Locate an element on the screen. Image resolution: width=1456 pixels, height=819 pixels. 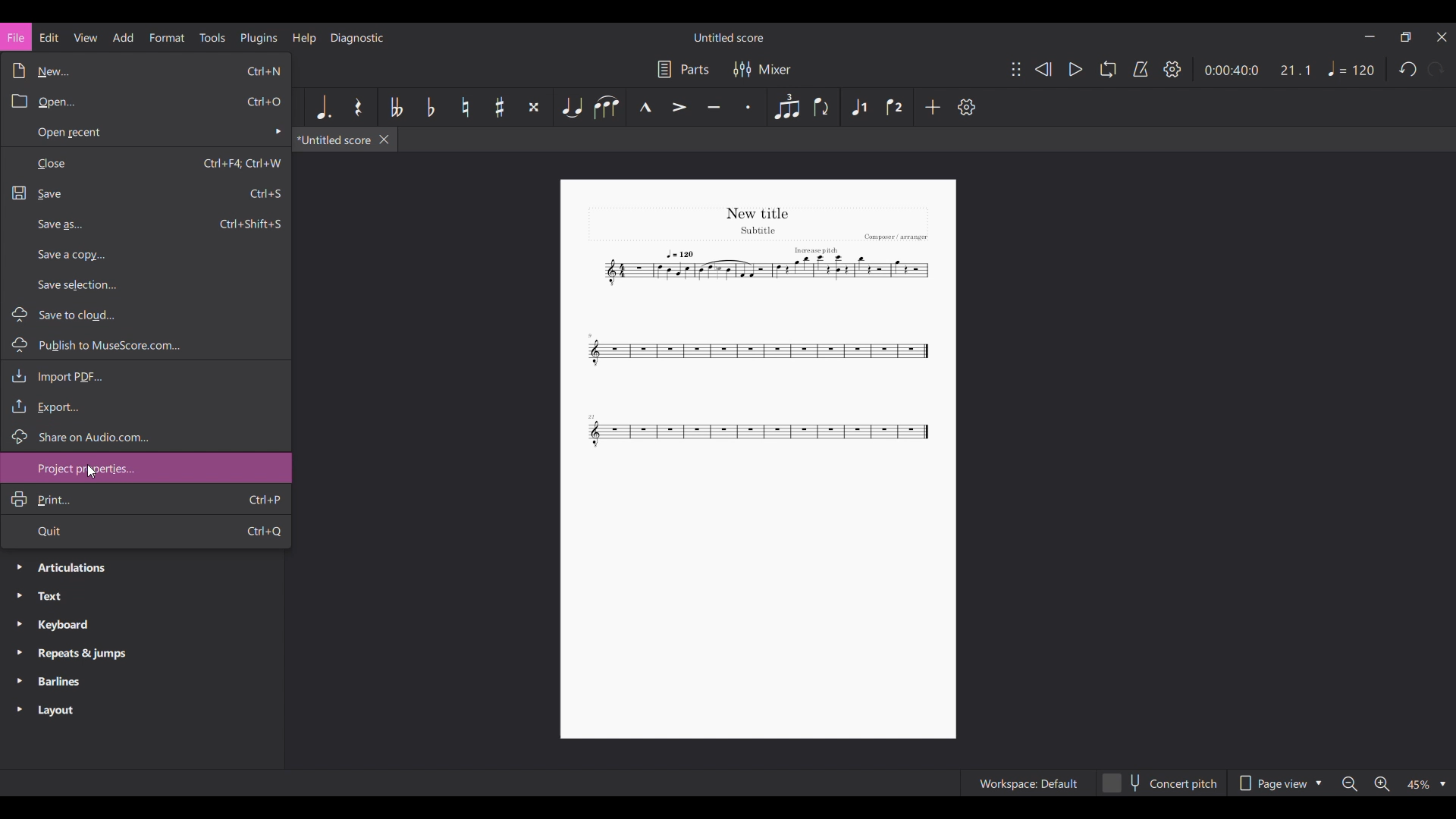
Workspace: Default is located at coordinates (1027, 783).